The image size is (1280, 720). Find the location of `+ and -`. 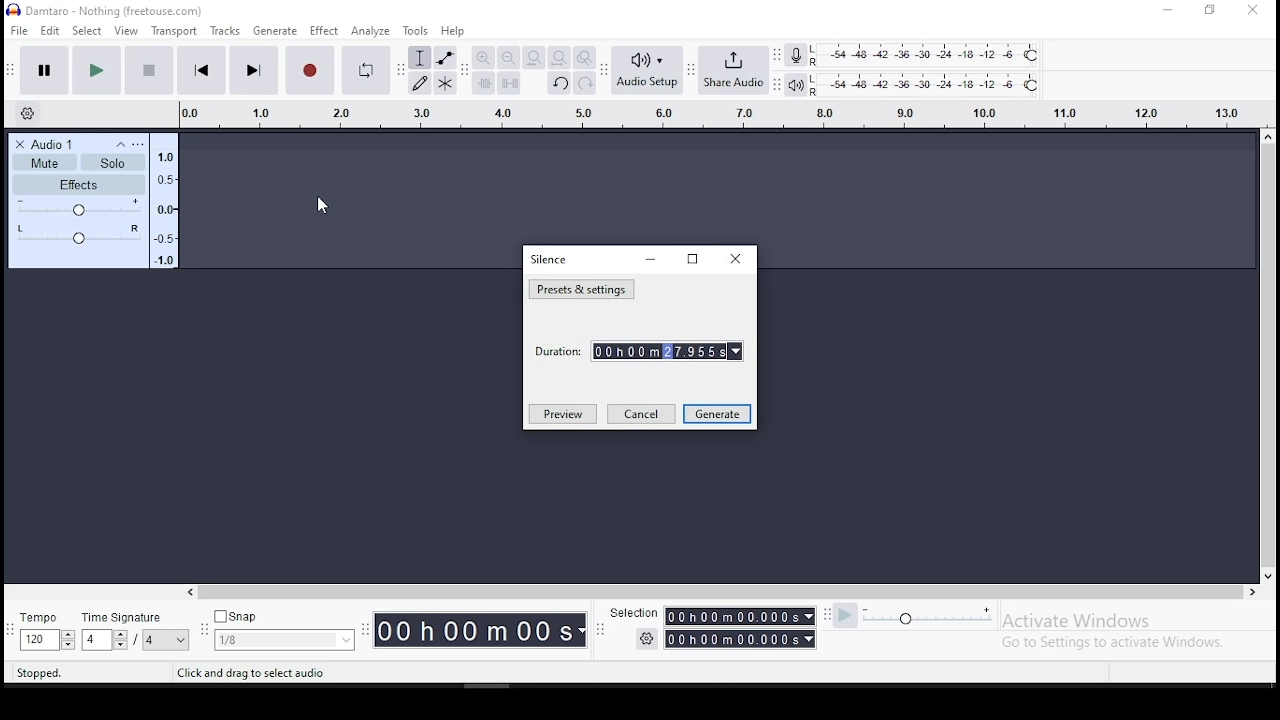

+ and - is located at coordinates (79, 208).